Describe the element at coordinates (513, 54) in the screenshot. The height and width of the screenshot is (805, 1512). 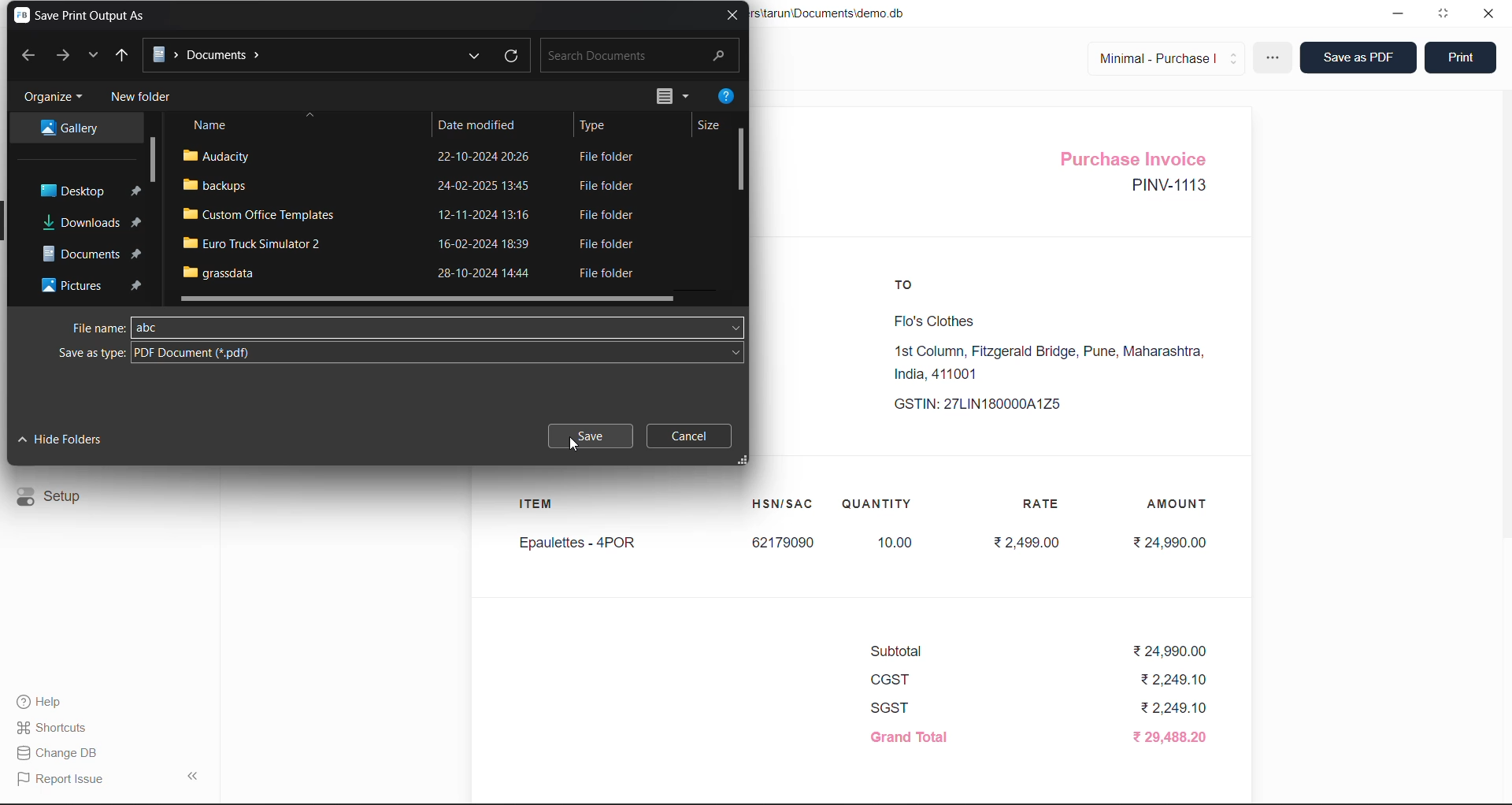
I see `refresh documents` at that location.